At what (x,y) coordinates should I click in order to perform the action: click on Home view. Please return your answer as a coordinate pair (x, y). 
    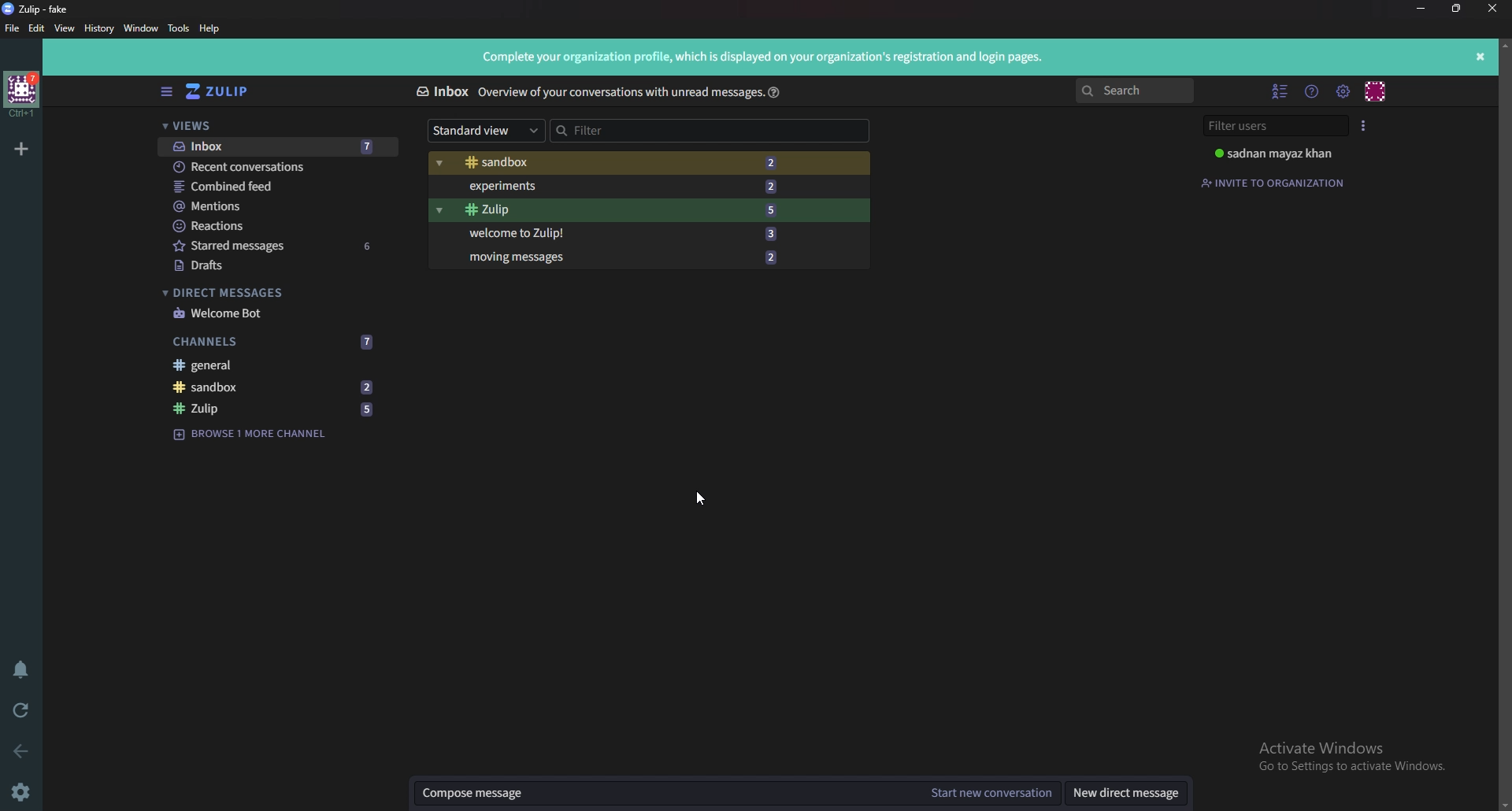
    Looking at the image, I should click on (230, 91).